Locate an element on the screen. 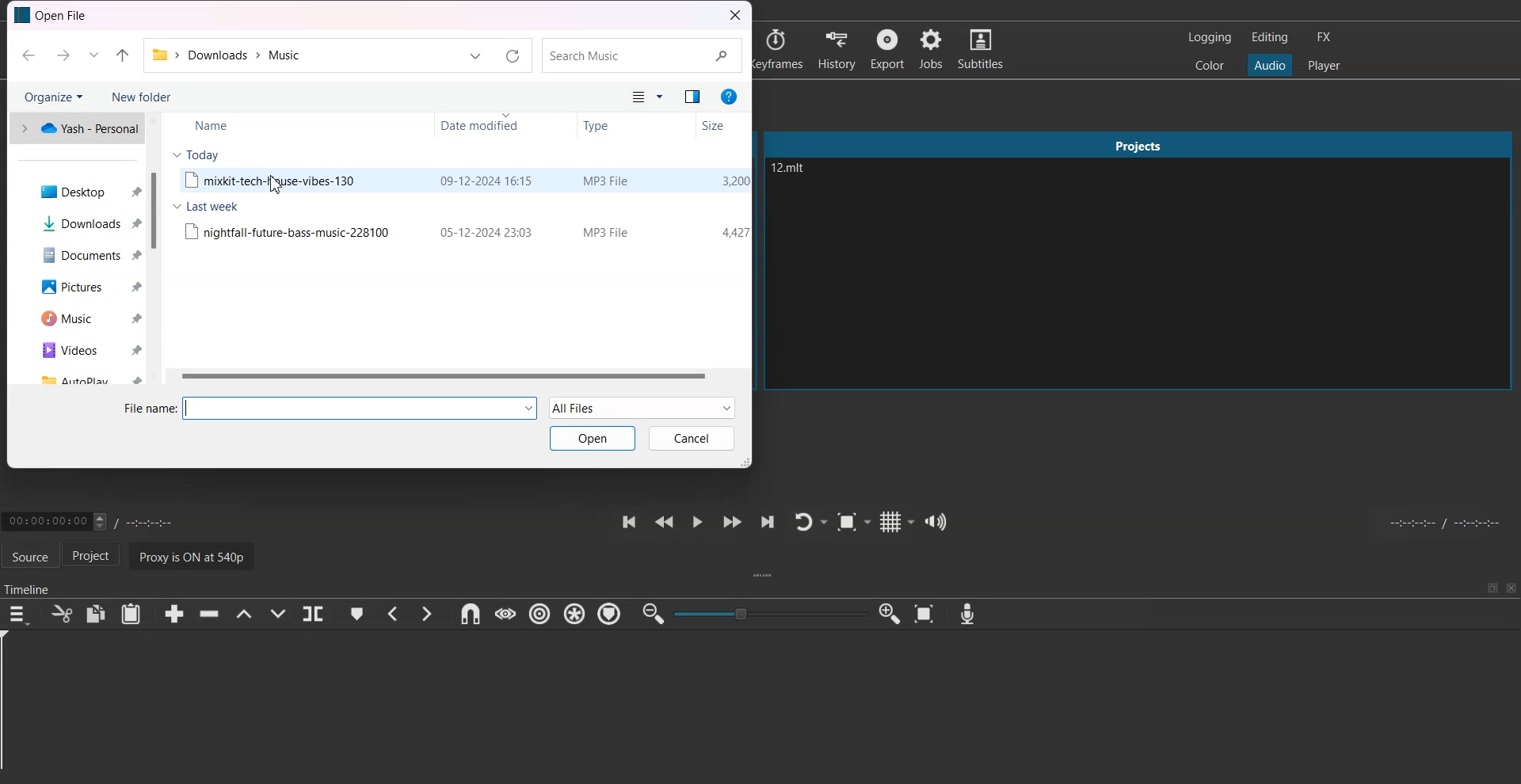 The width and height of the screenshot is (1521, 784). Switch to the effect layout is located at coordinates (1328, 37).